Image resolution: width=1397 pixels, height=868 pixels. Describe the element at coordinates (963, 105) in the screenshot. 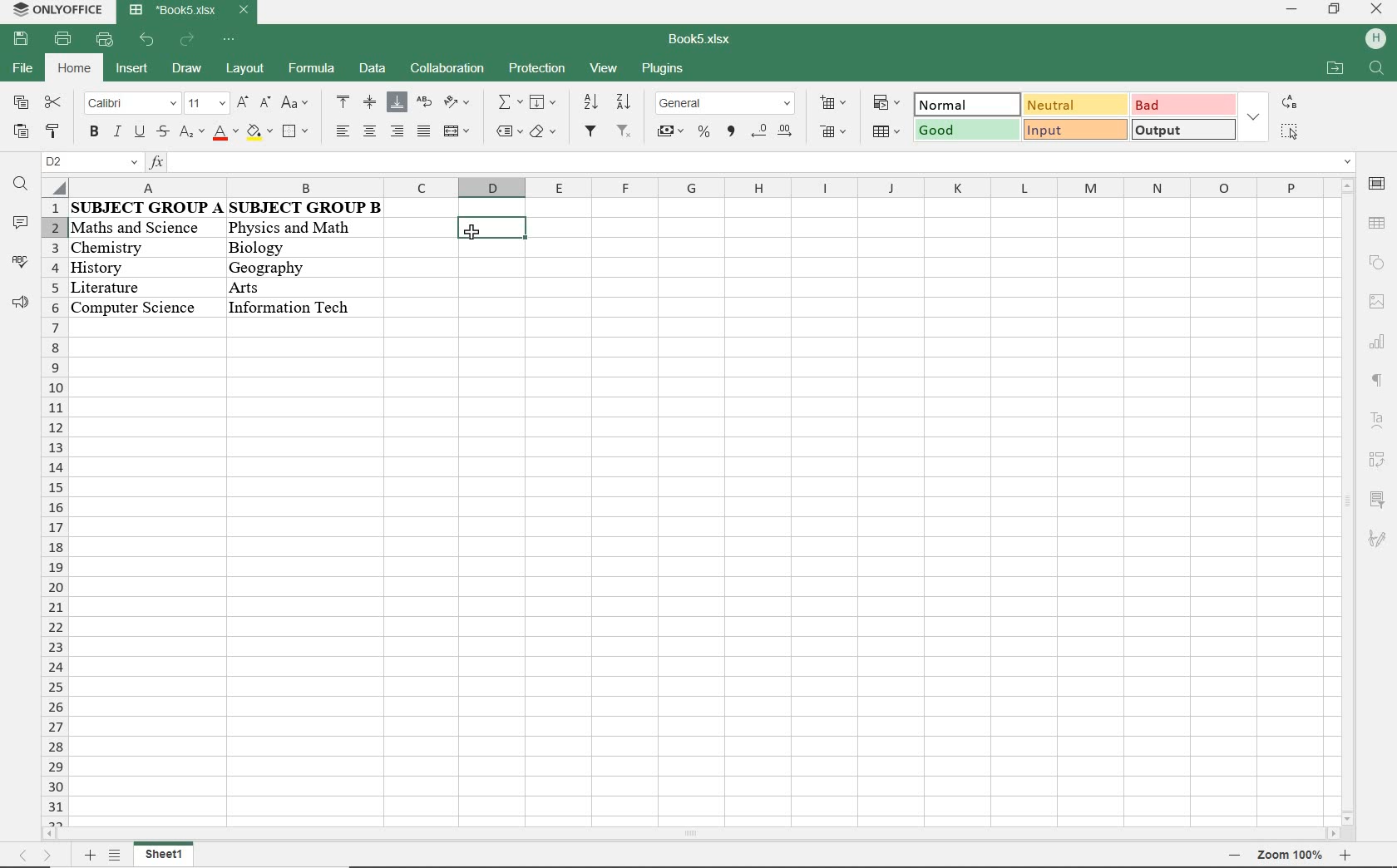

I see `normal` at that location.